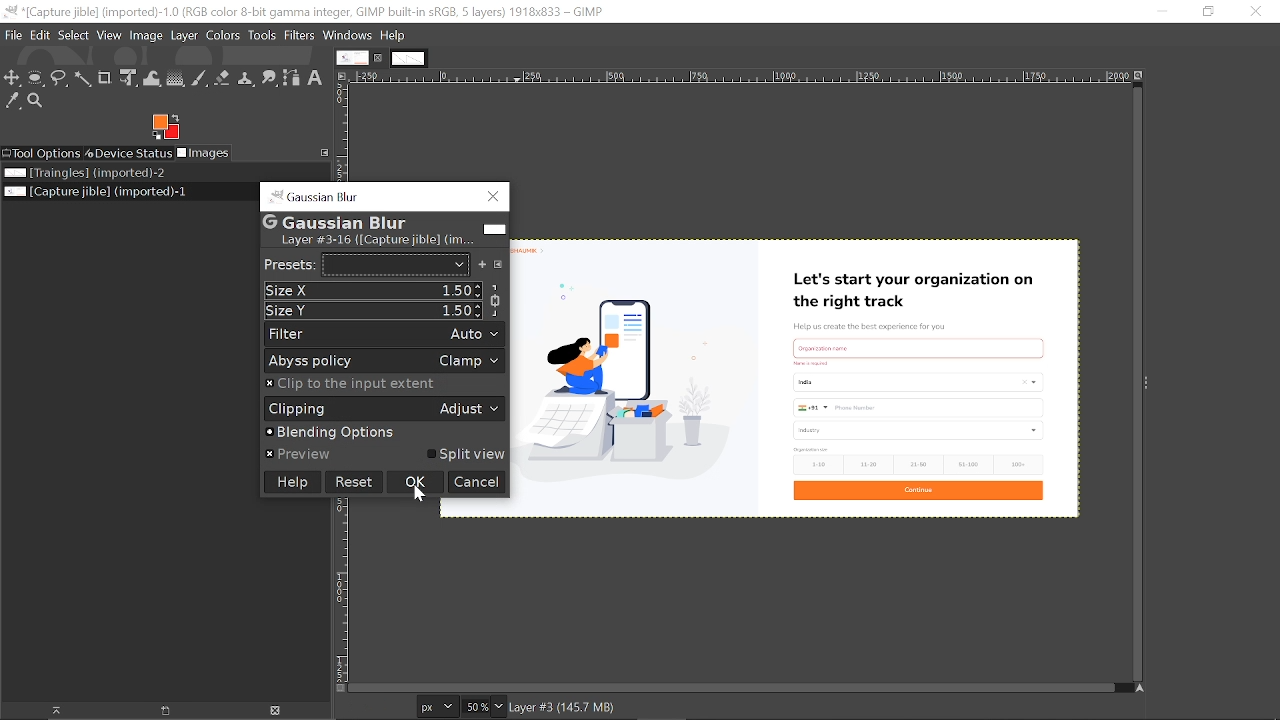 This screenshot has width=1280, height=720. What do you see at coordinates (380, 57) in the screenshot?
I see `Close tab` at bounding box center [380, 57].